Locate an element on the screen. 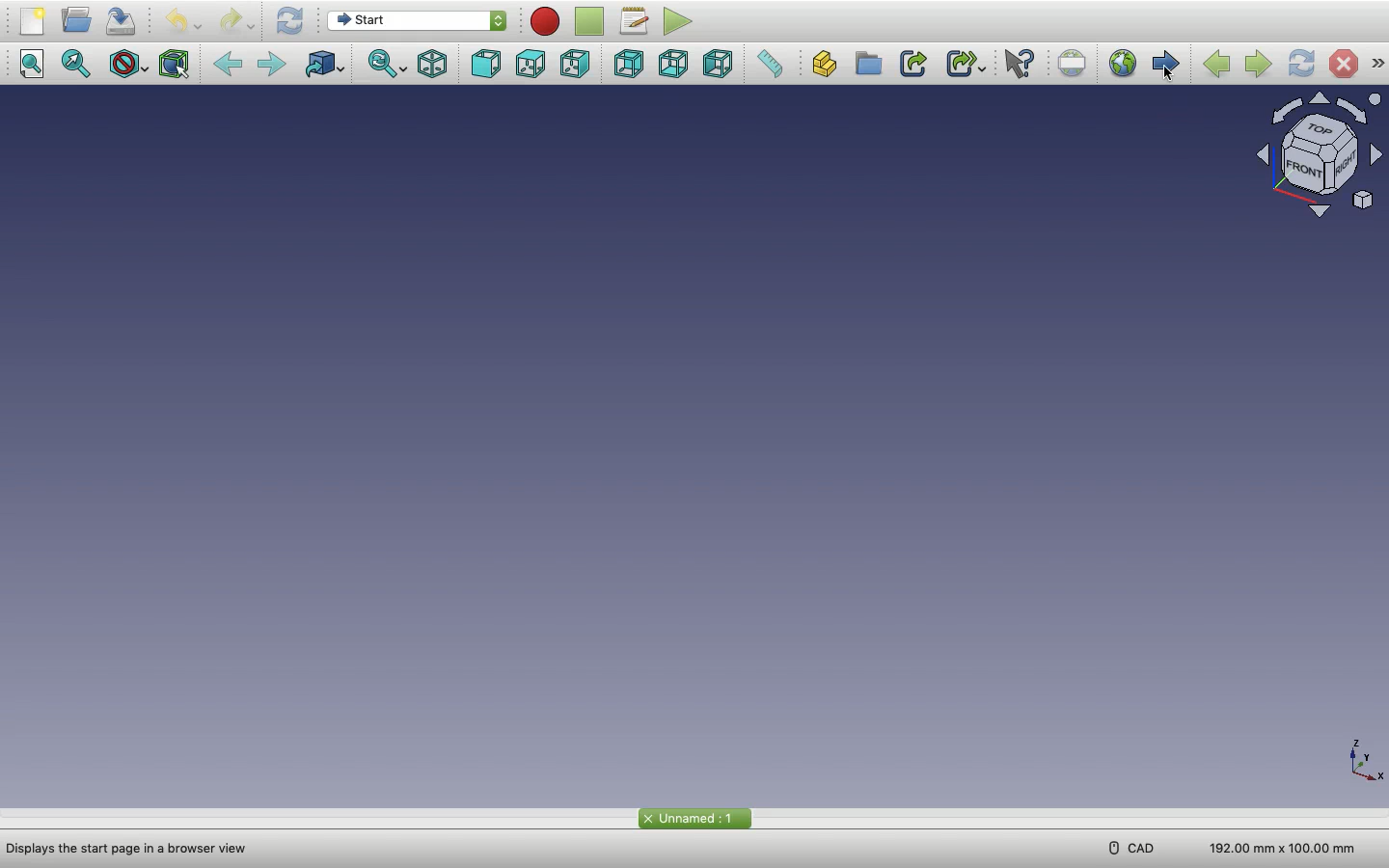  Save is located at coordinates (122, 20).